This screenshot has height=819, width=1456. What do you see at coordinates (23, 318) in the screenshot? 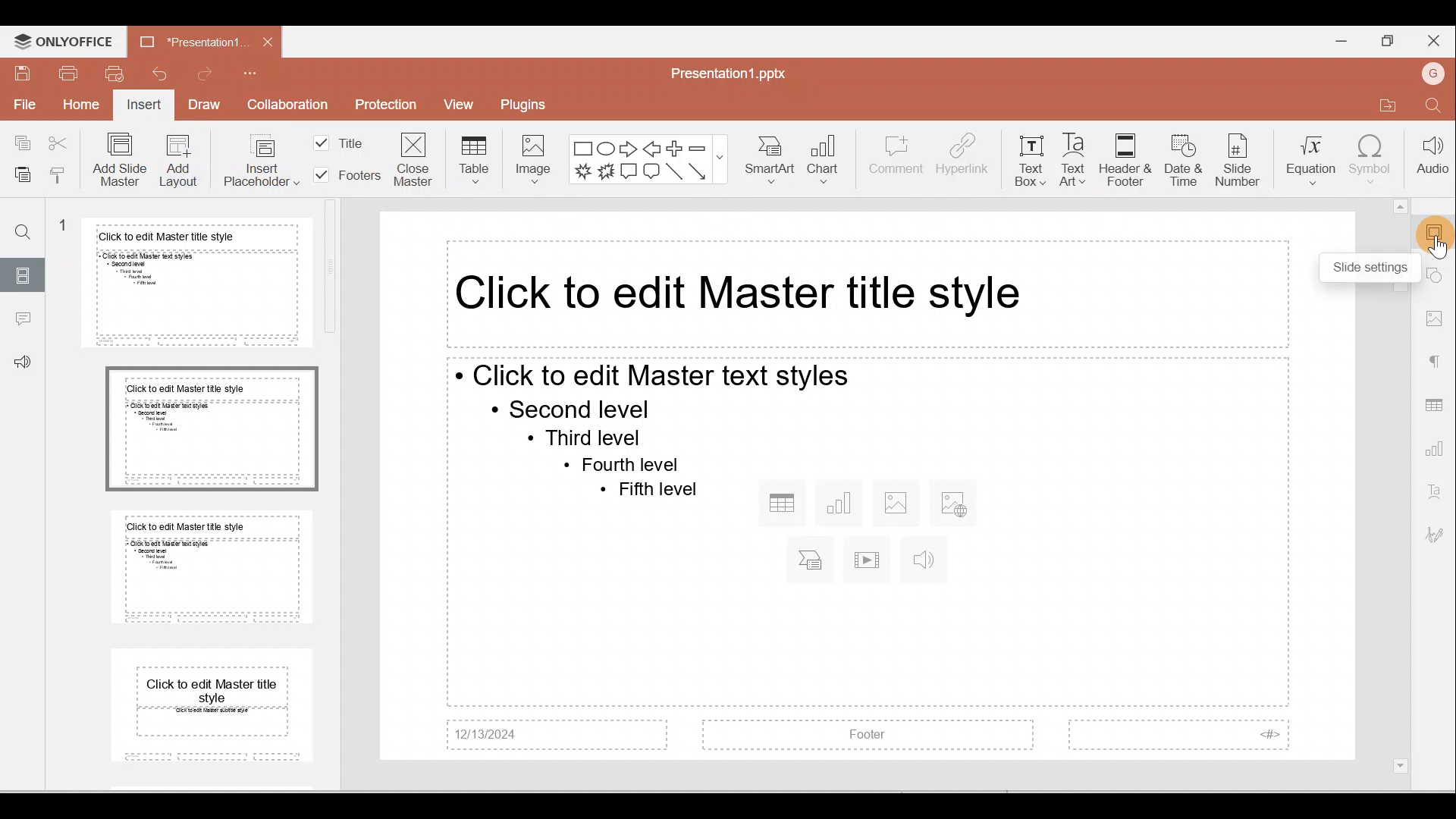
I see `Comment` at bounding box center [23, 318].